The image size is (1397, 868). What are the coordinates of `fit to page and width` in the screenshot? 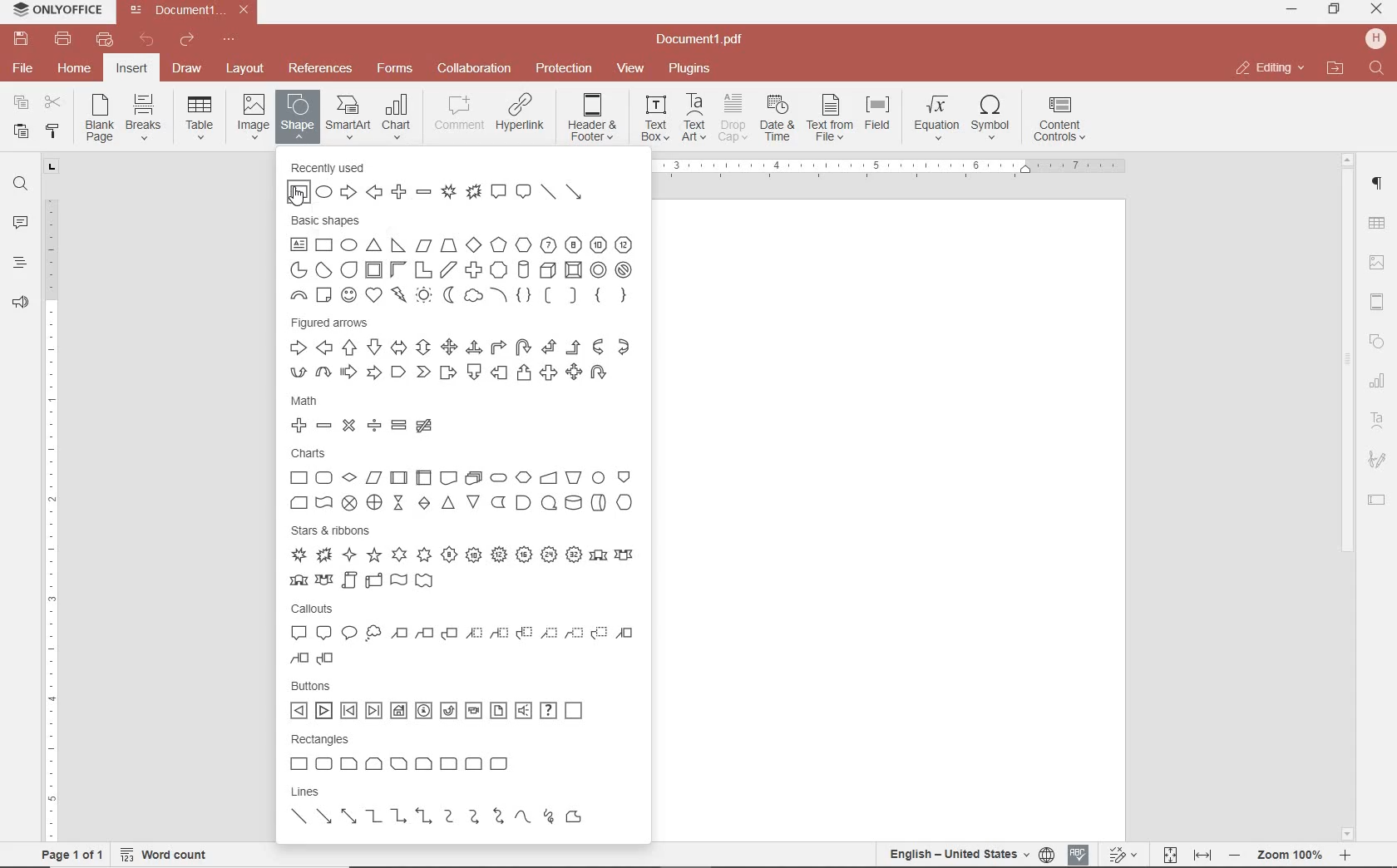 It's located at (1184, 856).